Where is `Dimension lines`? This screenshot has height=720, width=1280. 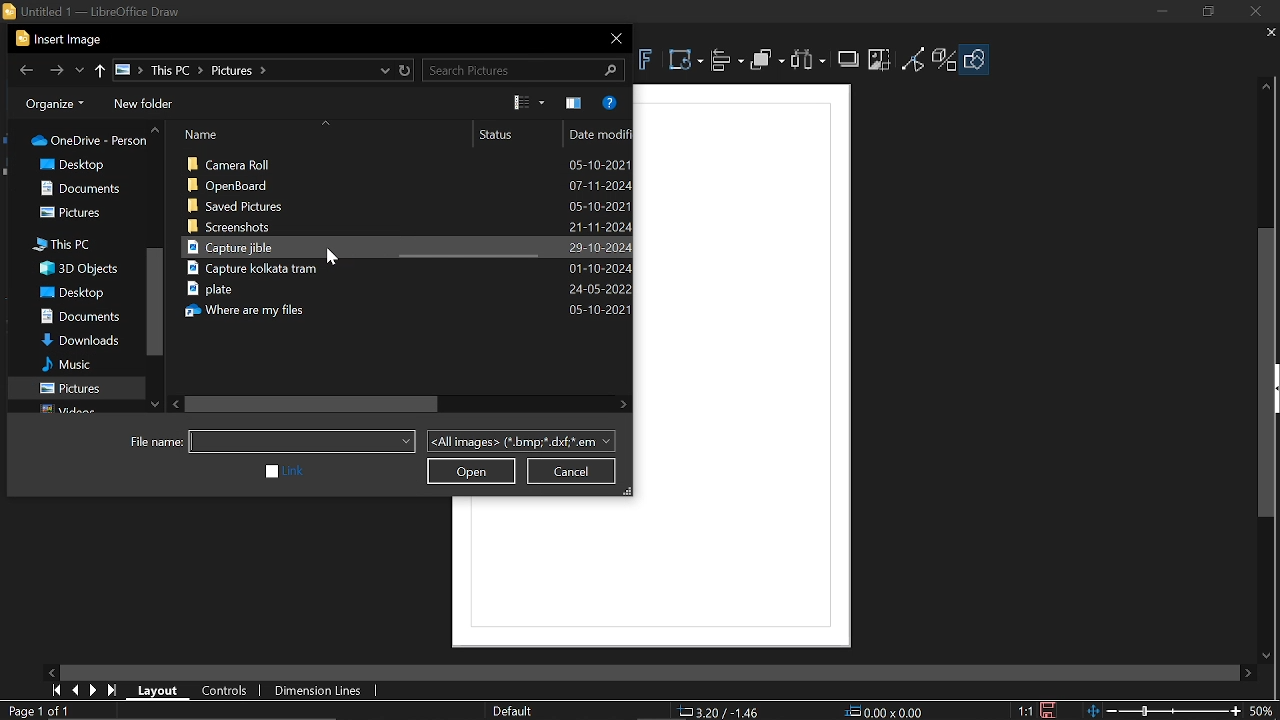
Dimension lines is located at coordinates (320, 691).